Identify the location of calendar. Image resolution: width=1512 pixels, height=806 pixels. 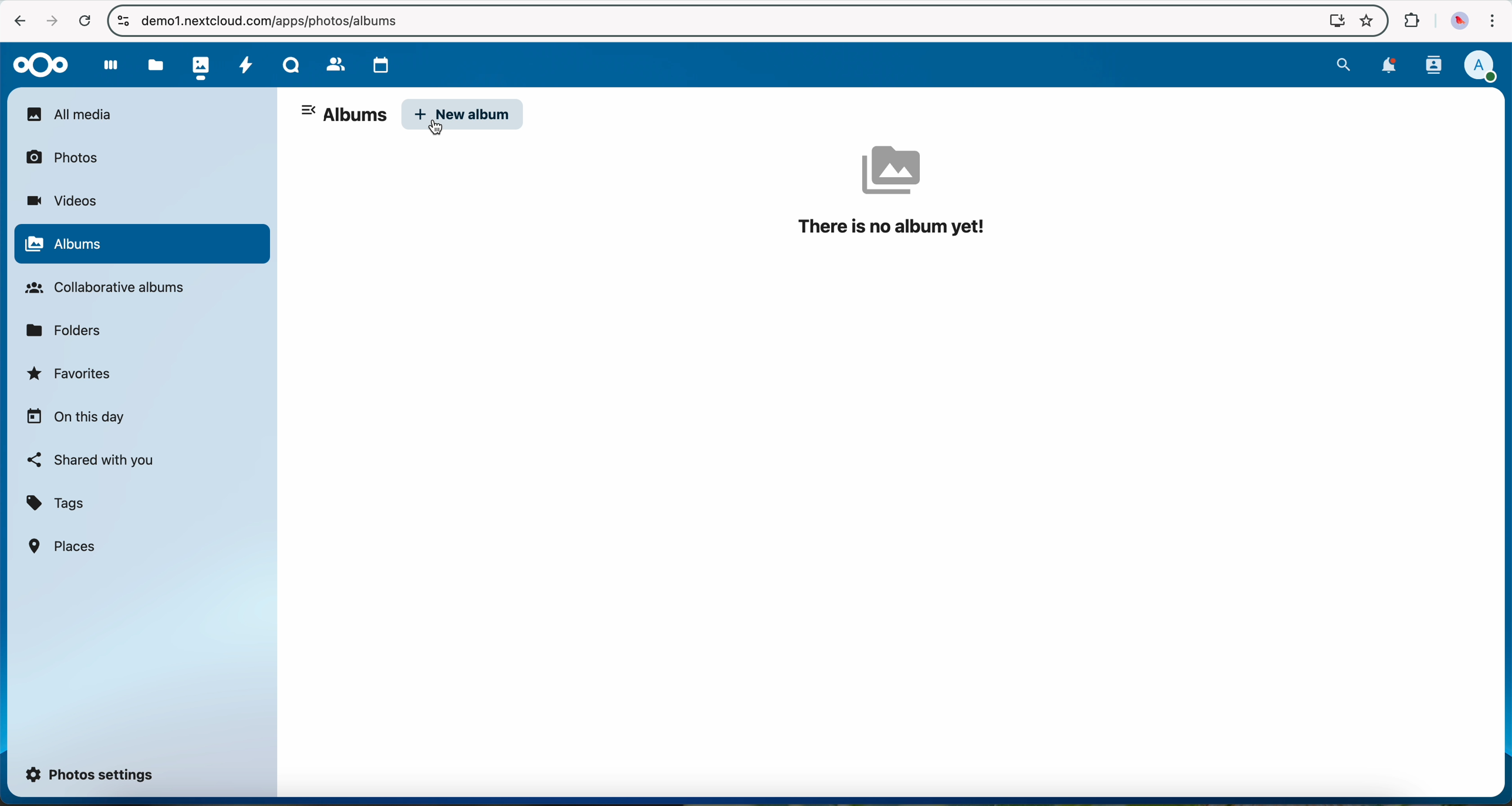
(378, 62).